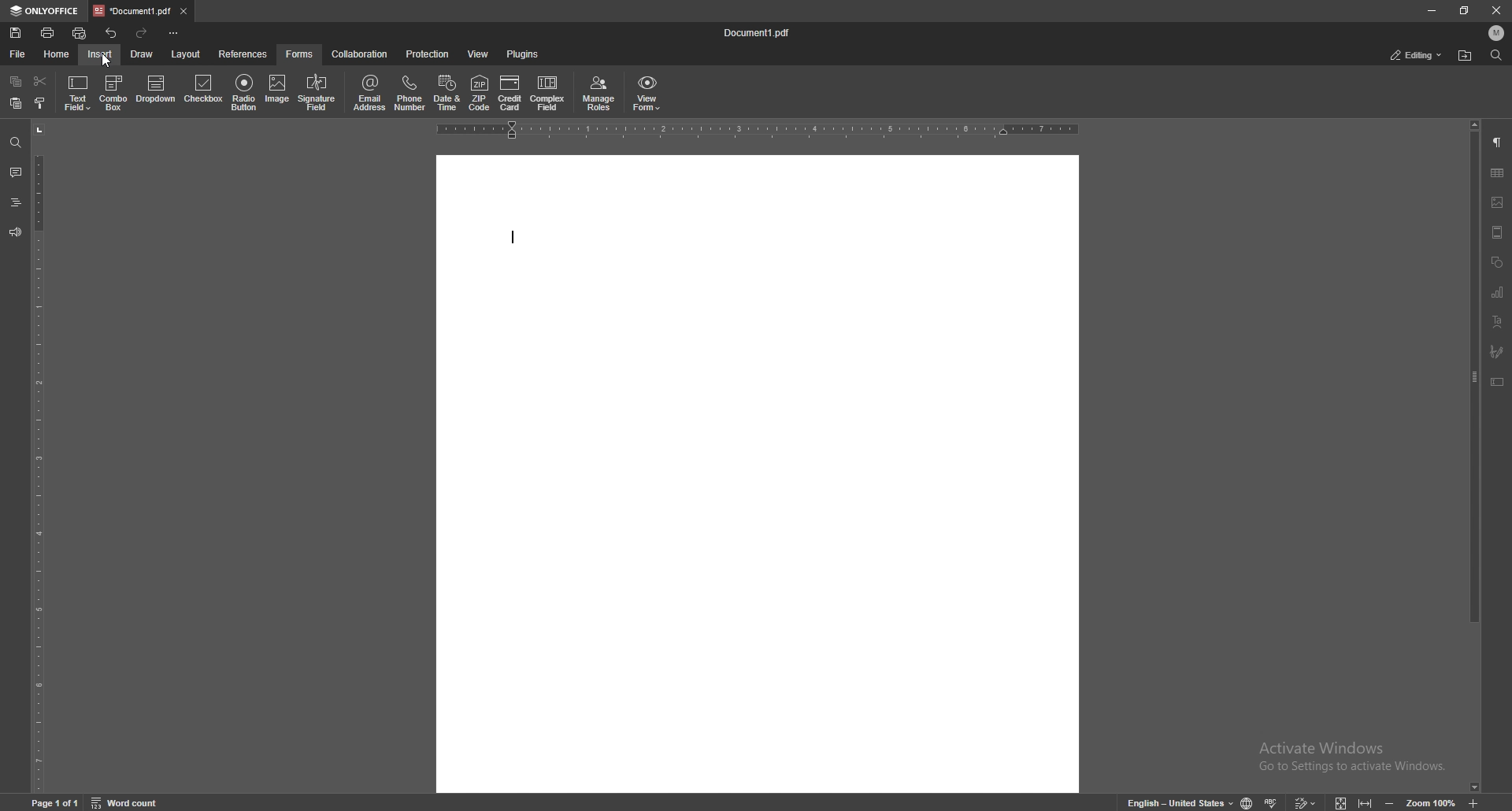 This screenshot has height=811, width=1512. What do you see at coordinates (16, 102) in the screenshot?
I see `paste` at bounding box center [16, 102].